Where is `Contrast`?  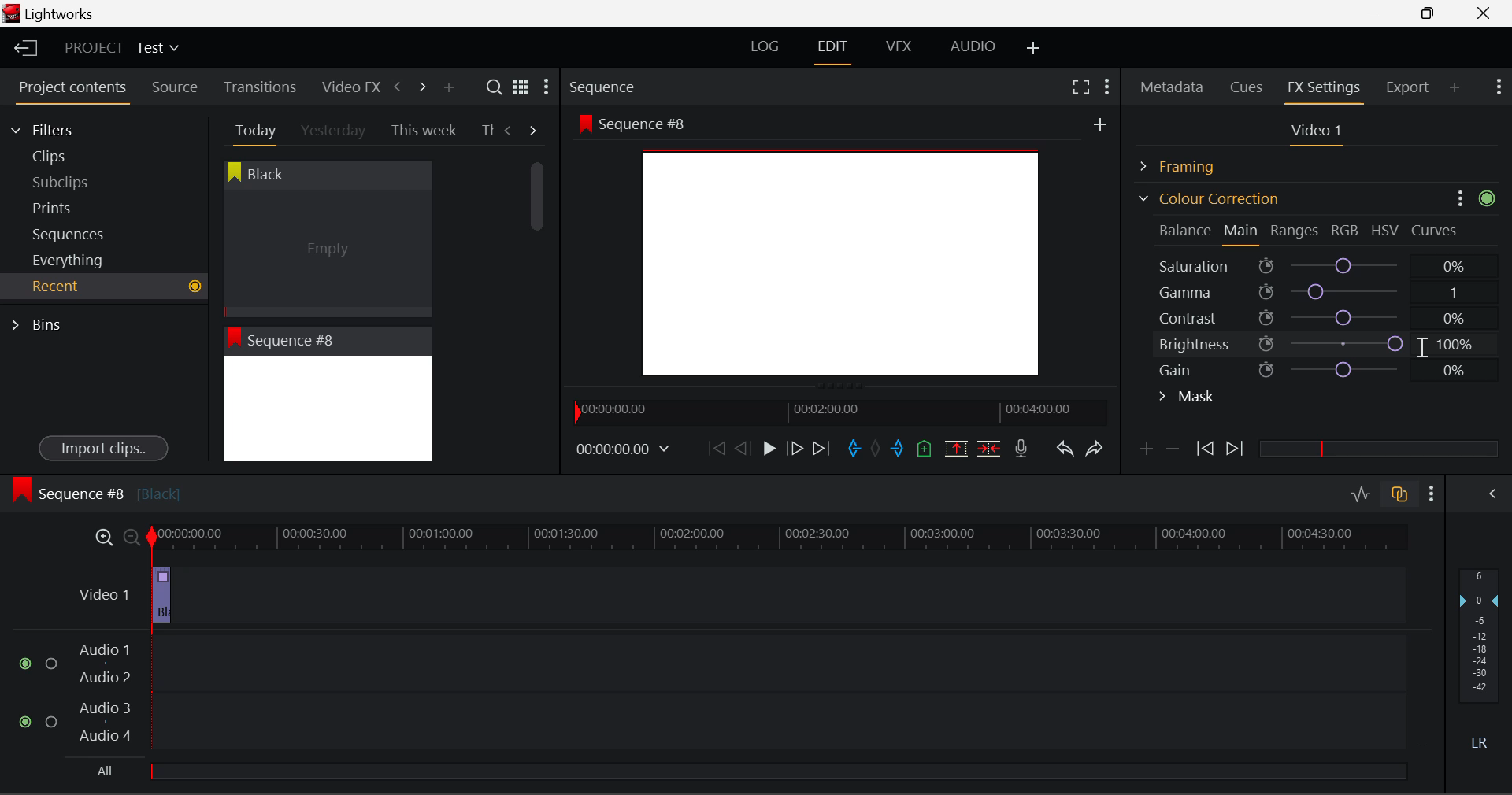 Contrast is located at coordinates (1318, 317).